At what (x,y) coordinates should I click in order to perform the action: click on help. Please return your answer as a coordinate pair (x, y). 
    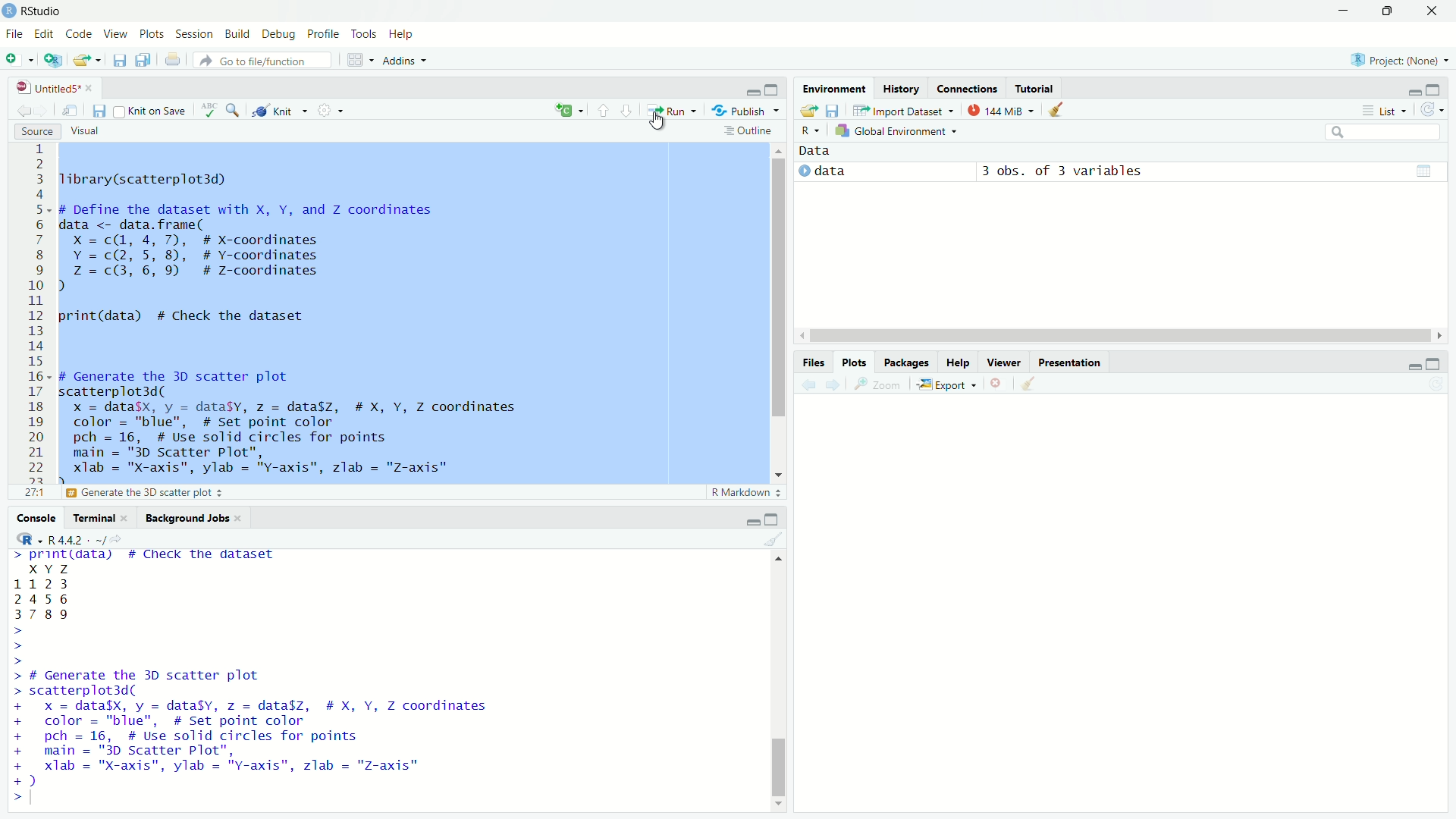
    Looking at the image, I should click on (404, 35).